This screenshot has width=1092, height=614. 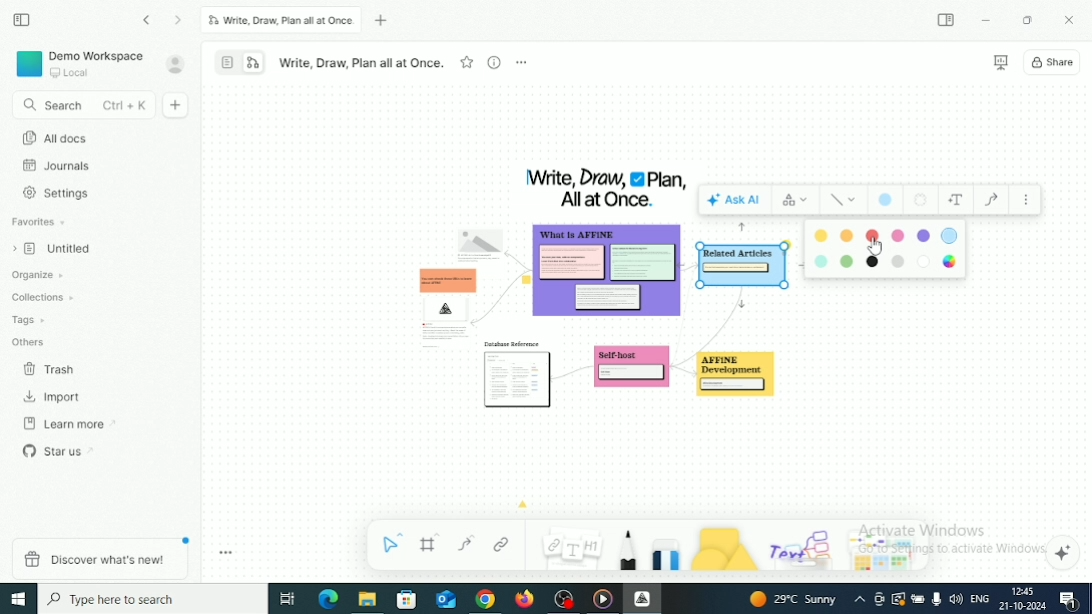 What do you see at coordinates (40, 222) in the screenshot?
I see `Favorites` at bounding box center [40, 222].